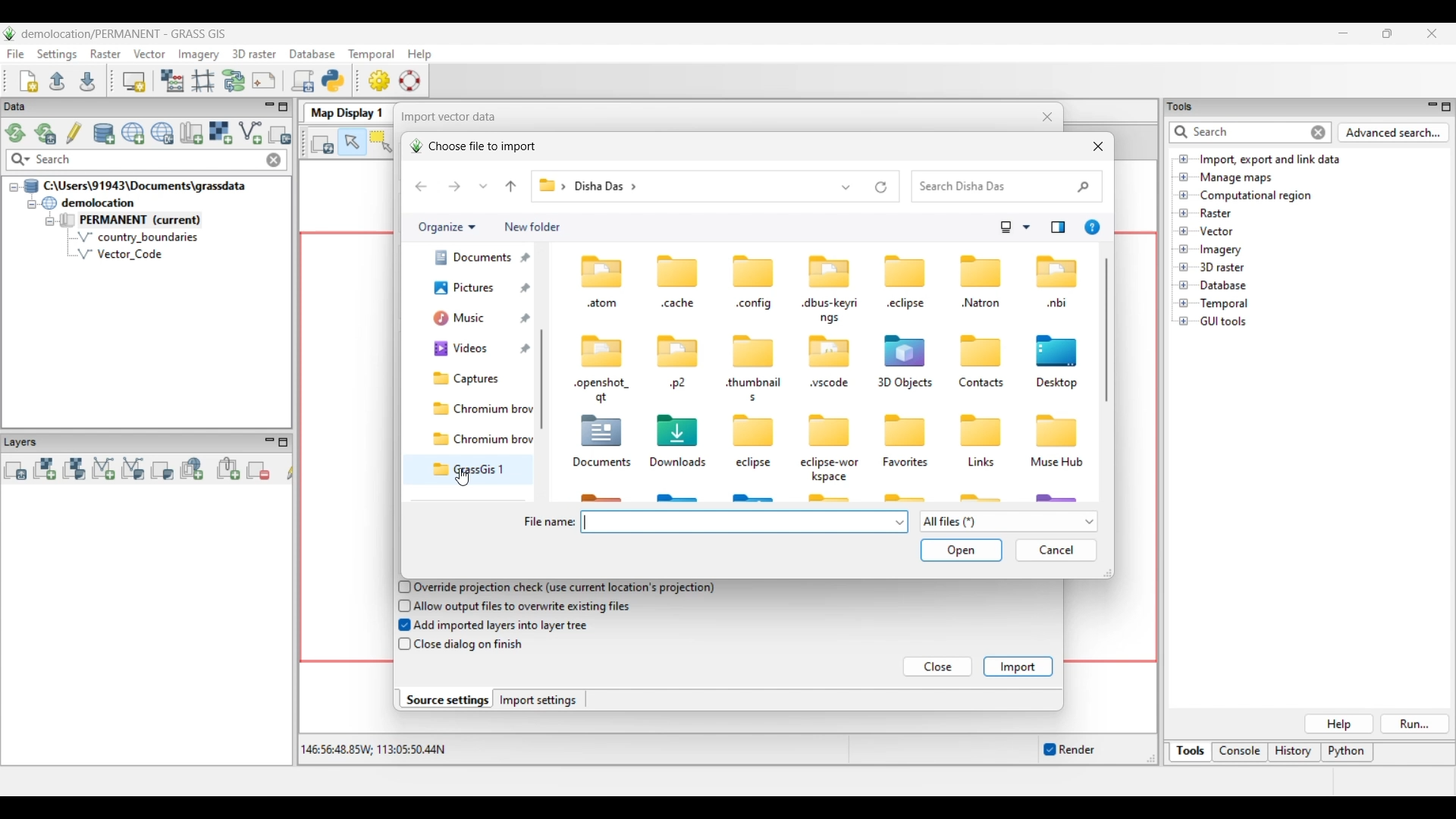 The width and height of the screenshot is (1456, 819). Describe the element at coordinates (234, 80) in the screenshot. I see `Graphical Modeler` at that location.